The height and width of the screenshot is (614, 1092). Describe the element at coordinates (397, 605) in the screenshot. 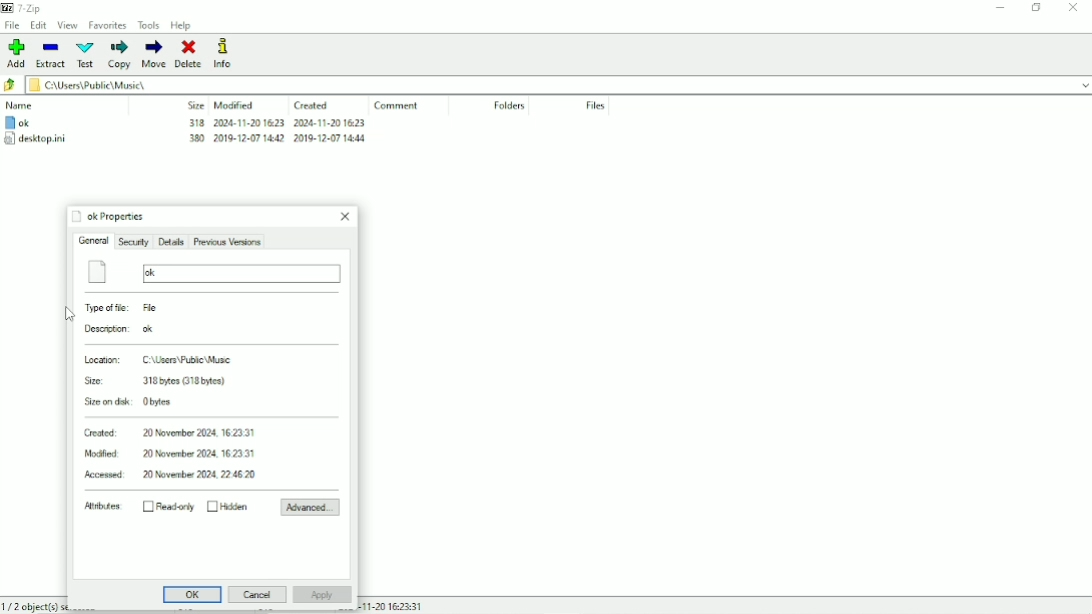

I see `Date and Time` at that location.